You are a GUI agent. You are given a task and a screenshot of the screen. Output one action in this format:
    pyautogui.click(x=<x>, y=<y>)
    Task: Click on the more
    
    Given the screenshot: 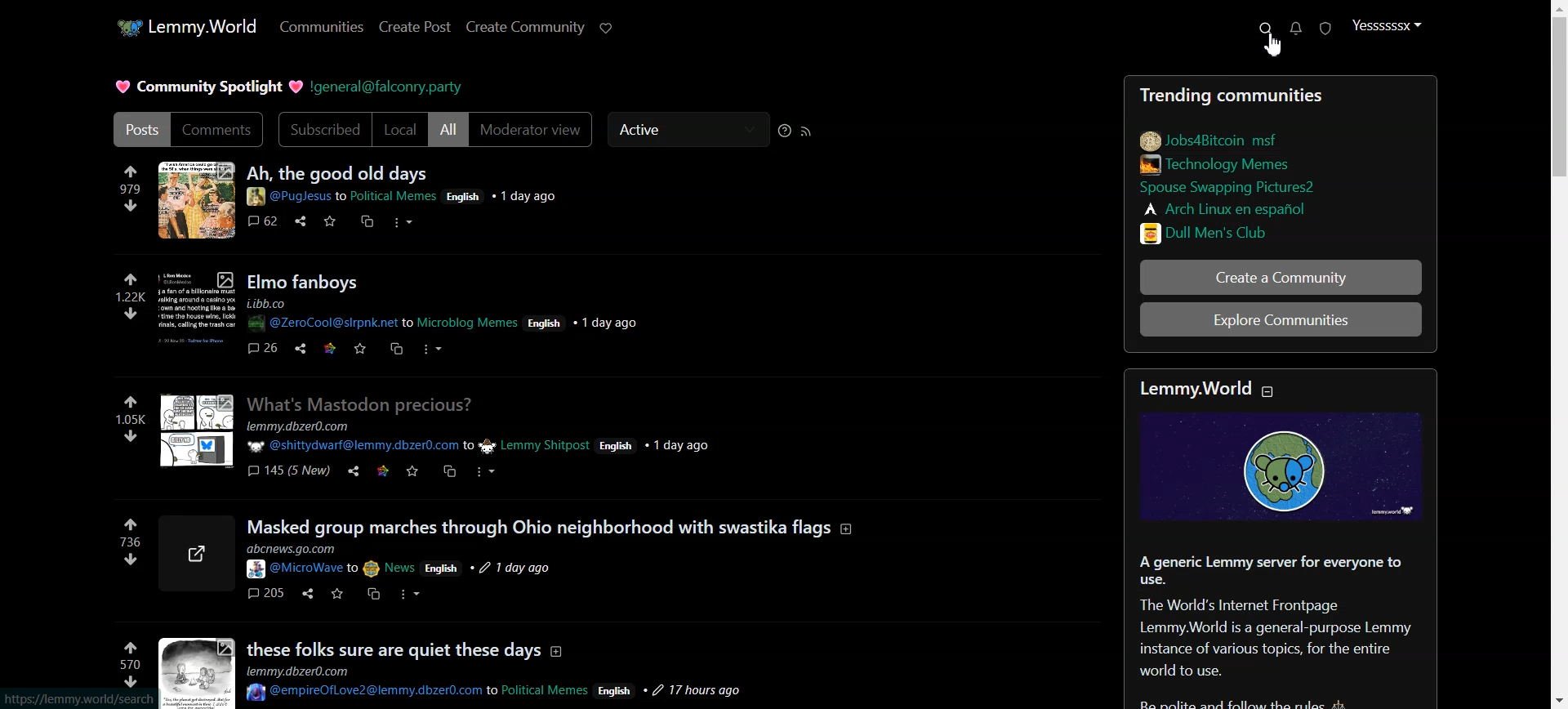 What is the action you would take?
    pyautogui.click(x=412, y=594)
    